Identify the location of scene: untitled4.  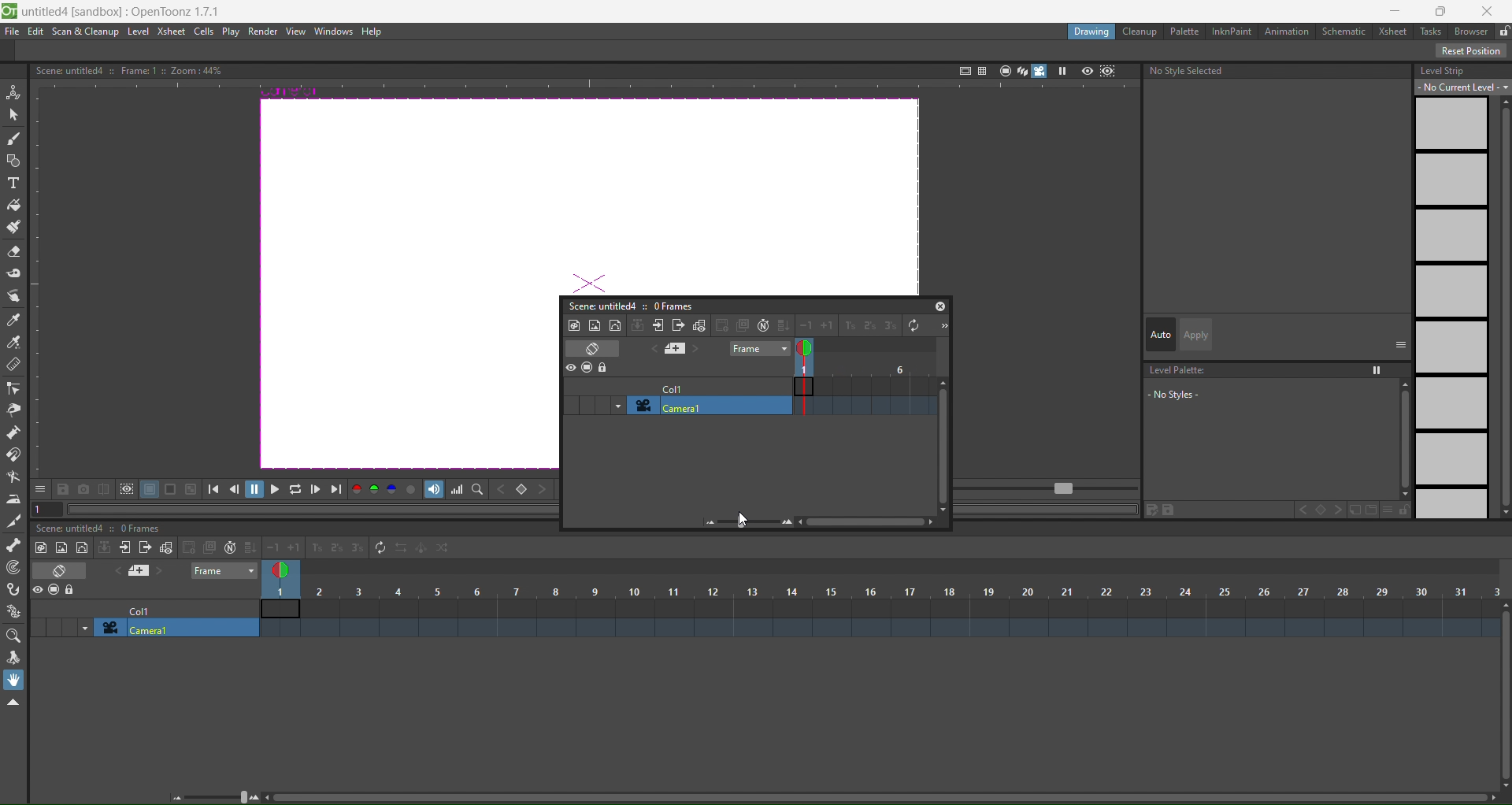
(599, 305).